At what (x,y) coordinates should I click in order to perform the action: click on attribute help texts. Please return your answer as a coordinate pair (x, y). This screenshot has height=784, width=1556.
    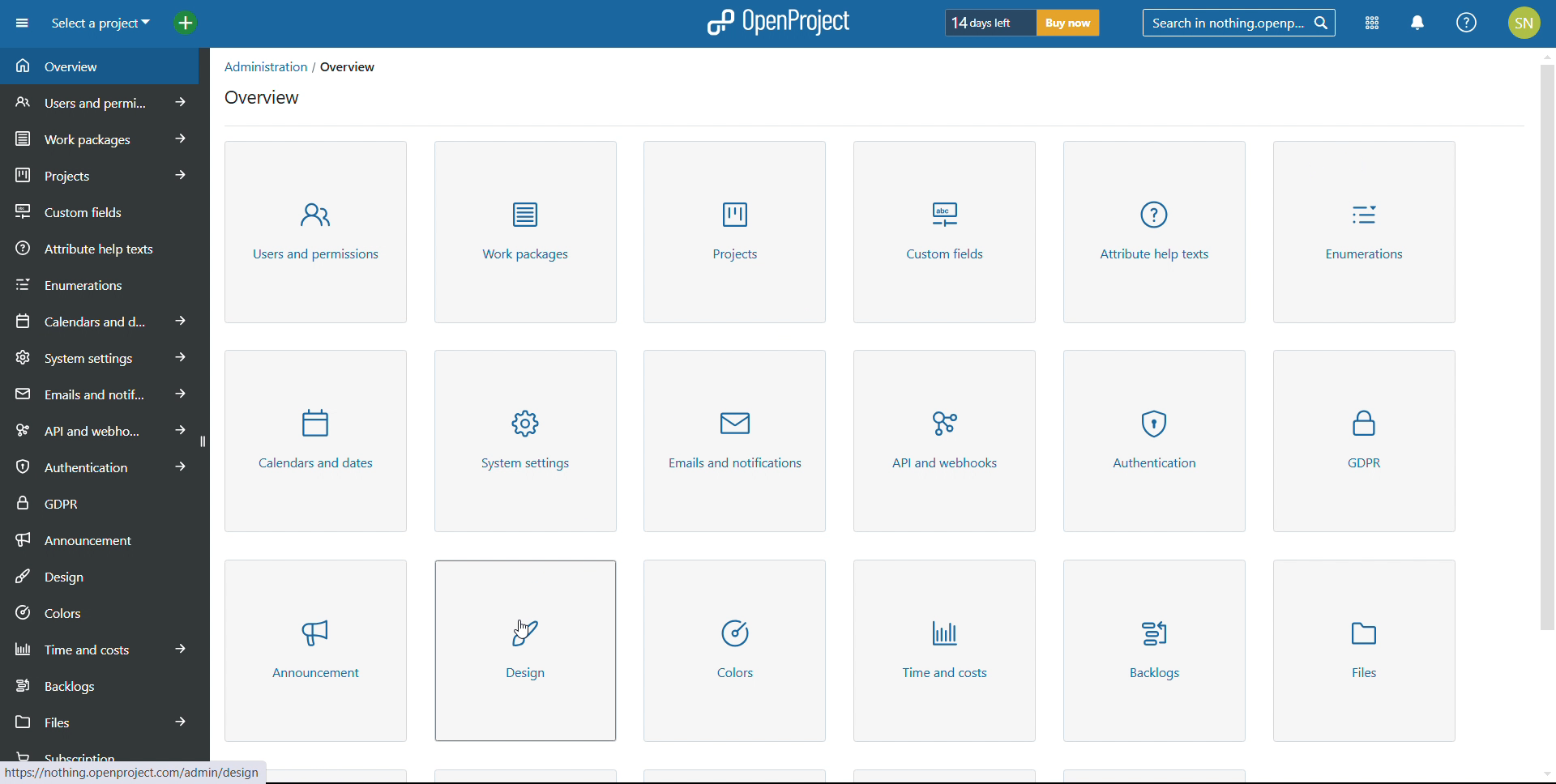
    Looking at the image, I should click on (1154, 232).